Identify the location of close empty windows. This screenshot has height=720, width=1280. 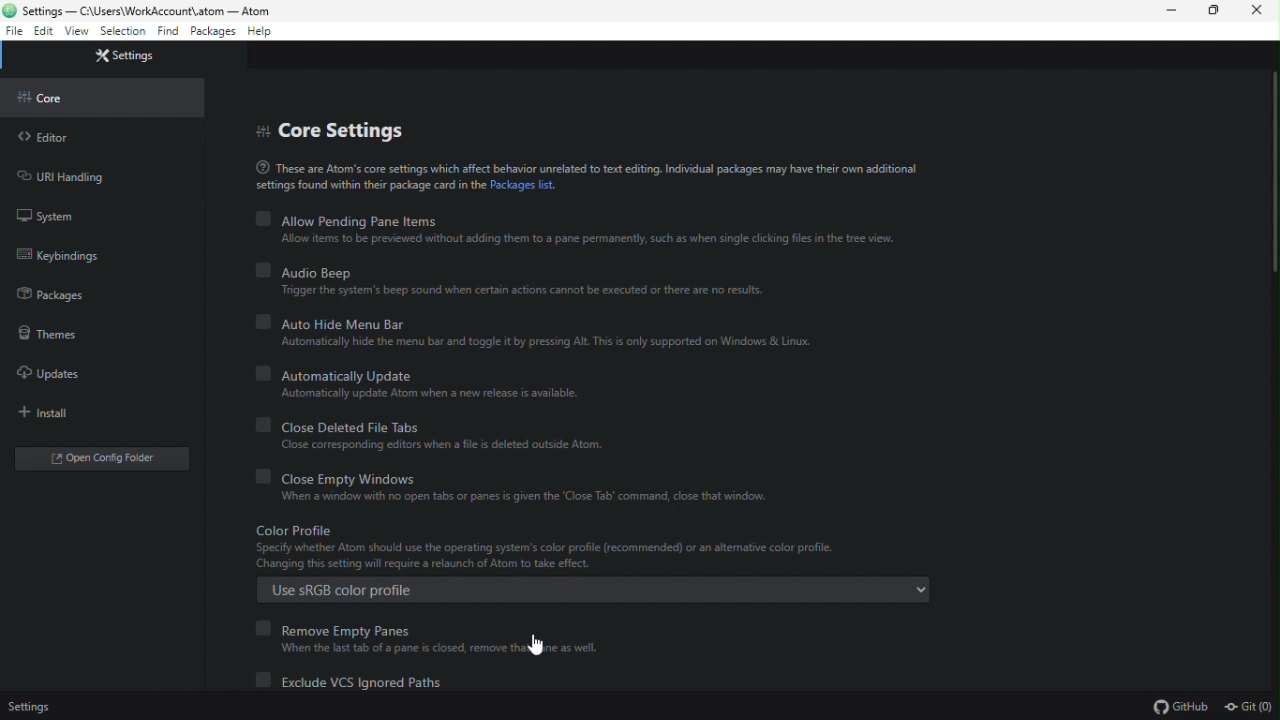
(522, 489).